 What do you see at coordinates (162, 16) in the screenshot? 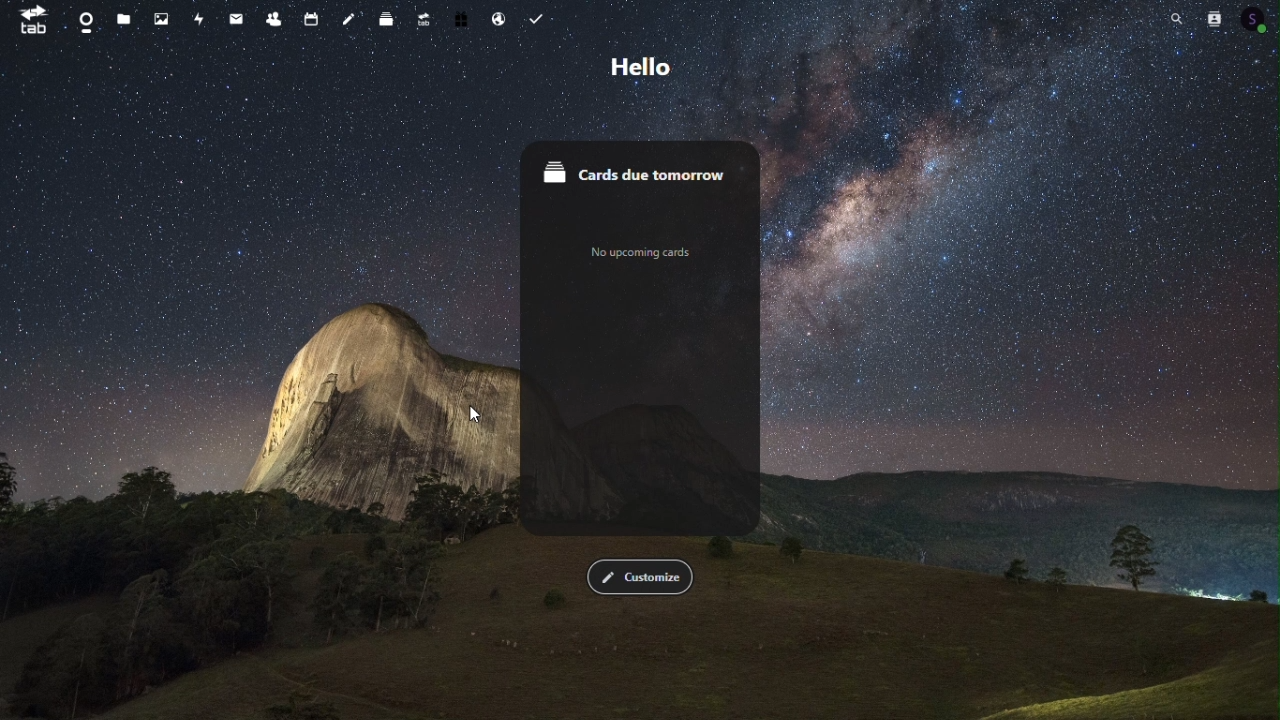
I see `Photos` at bounding box center [162, 16].